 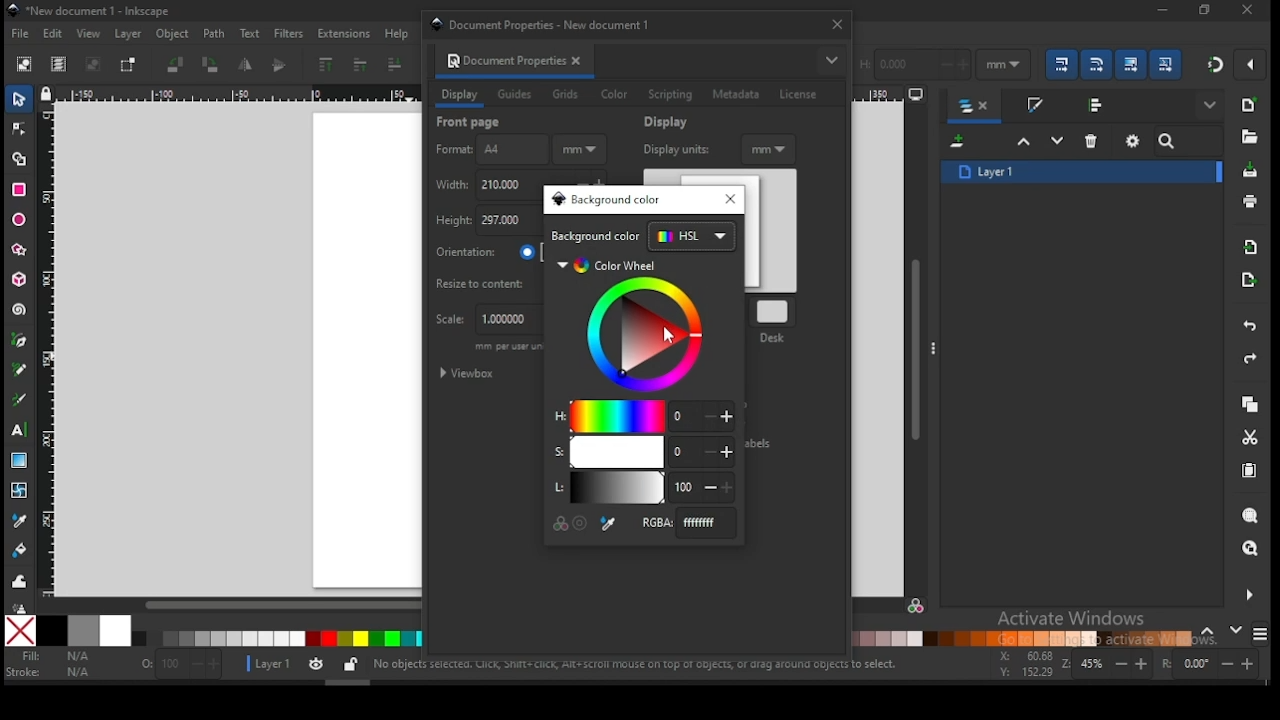 What do you see at coordinates (608, 200) in the screenshot?
I see `background color selection window` at bounding box center [608, 200].